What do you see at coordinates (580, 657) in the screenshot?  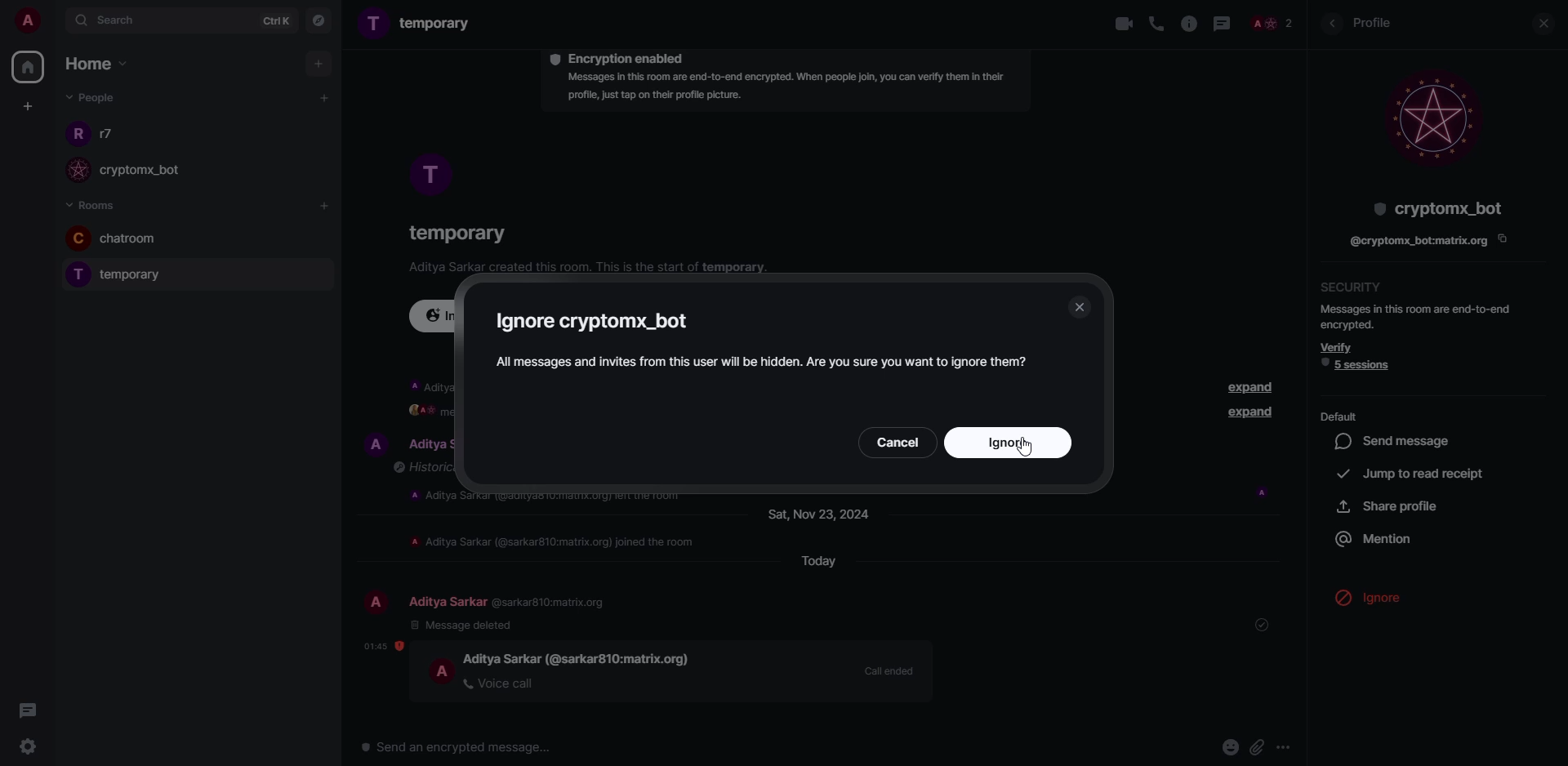 I see `people` at bounding box center [580, 657].